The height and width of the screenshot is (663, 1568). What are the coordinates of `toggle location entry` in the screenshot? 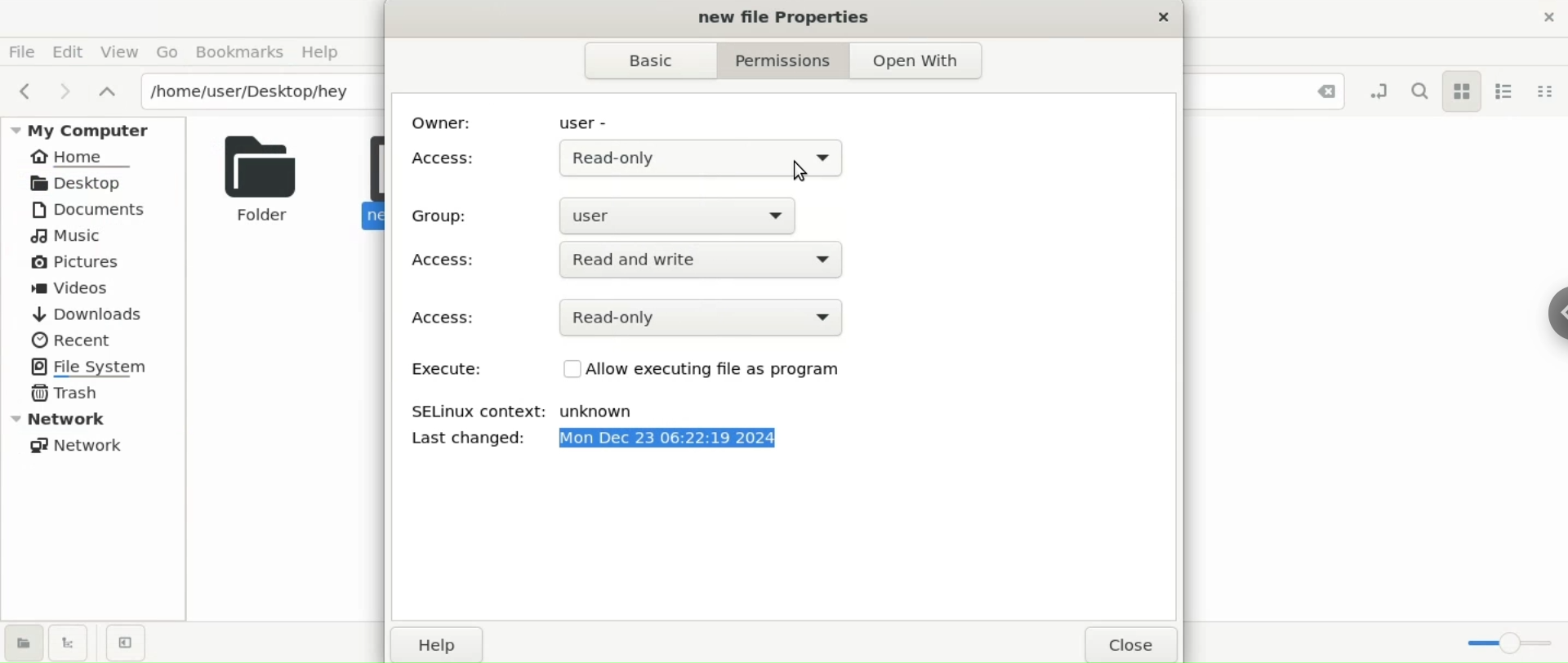 It's located at (1382, 90).